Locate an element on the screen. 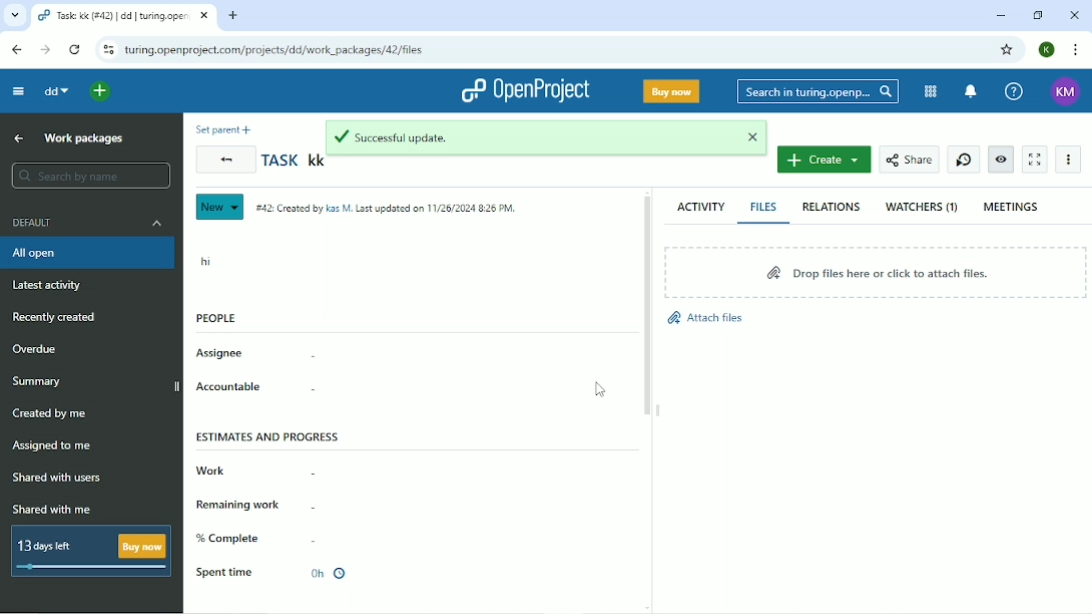  Estimates and progress is located at coordinates (267, 435).